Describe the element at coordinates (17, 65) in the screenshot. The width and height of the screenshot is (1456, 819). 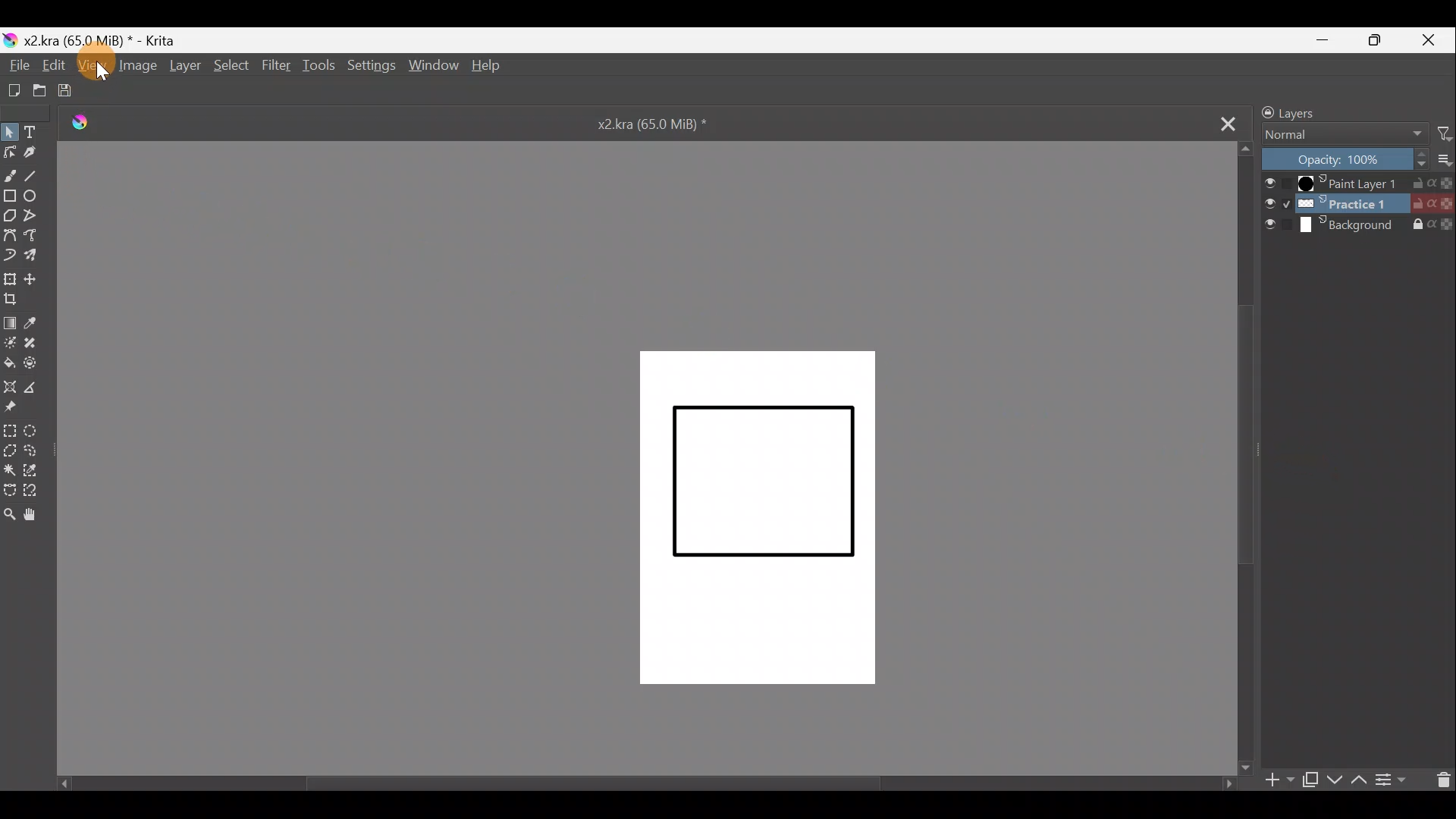
I see `File` at that location.